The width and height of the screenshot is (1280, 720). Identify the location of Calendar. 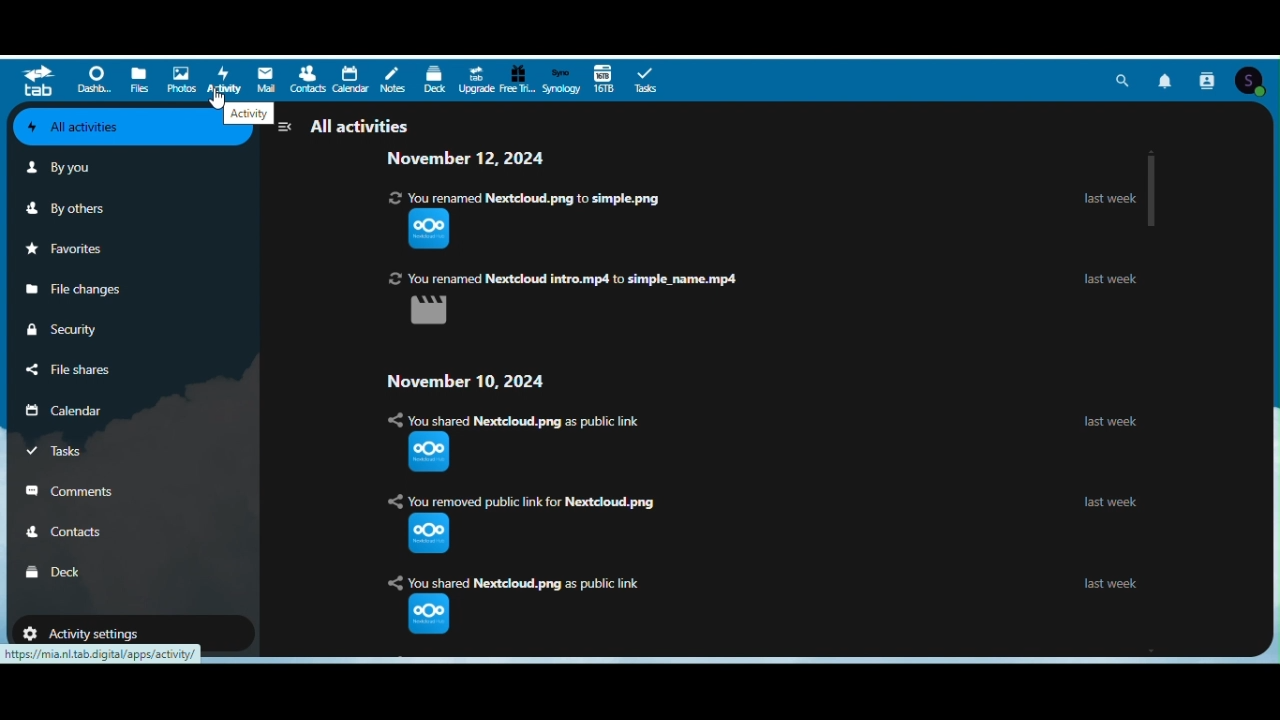
(79, 412).